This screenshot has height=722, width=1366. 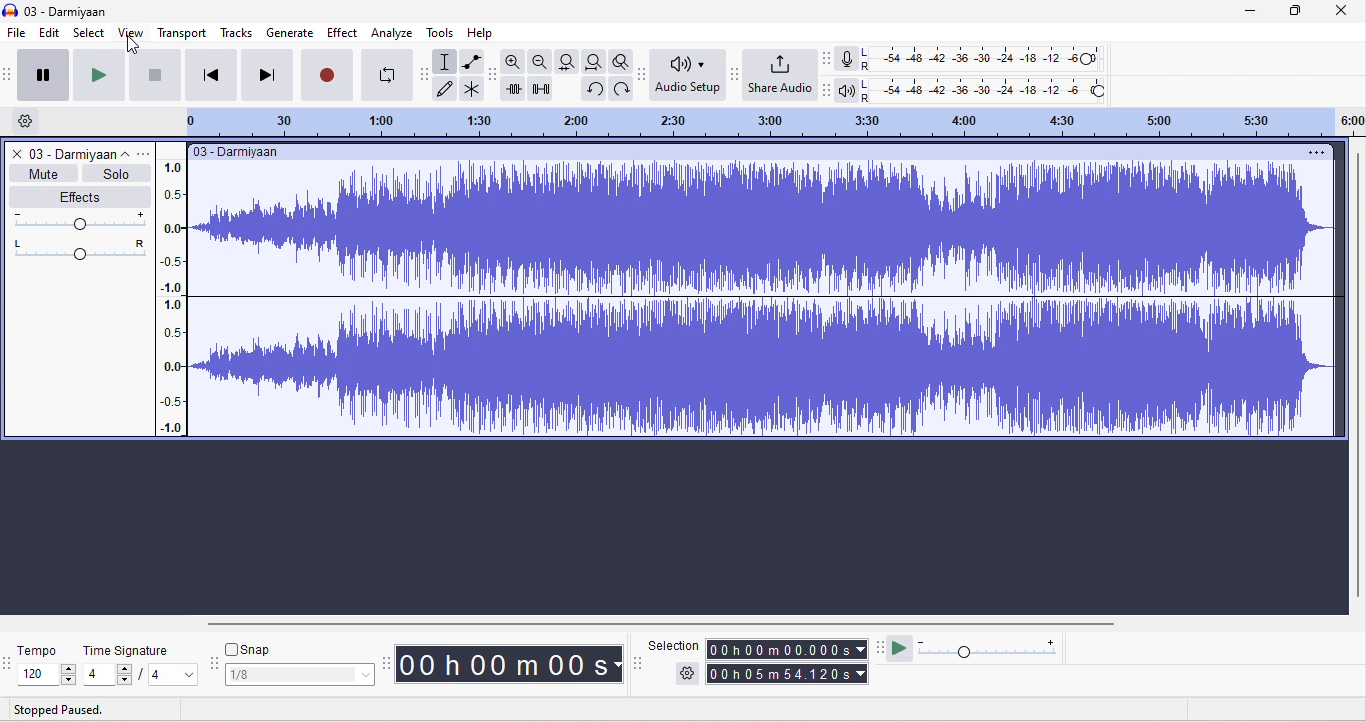 I want to click on audacity transport toolbar, so click(x=9, y=72).